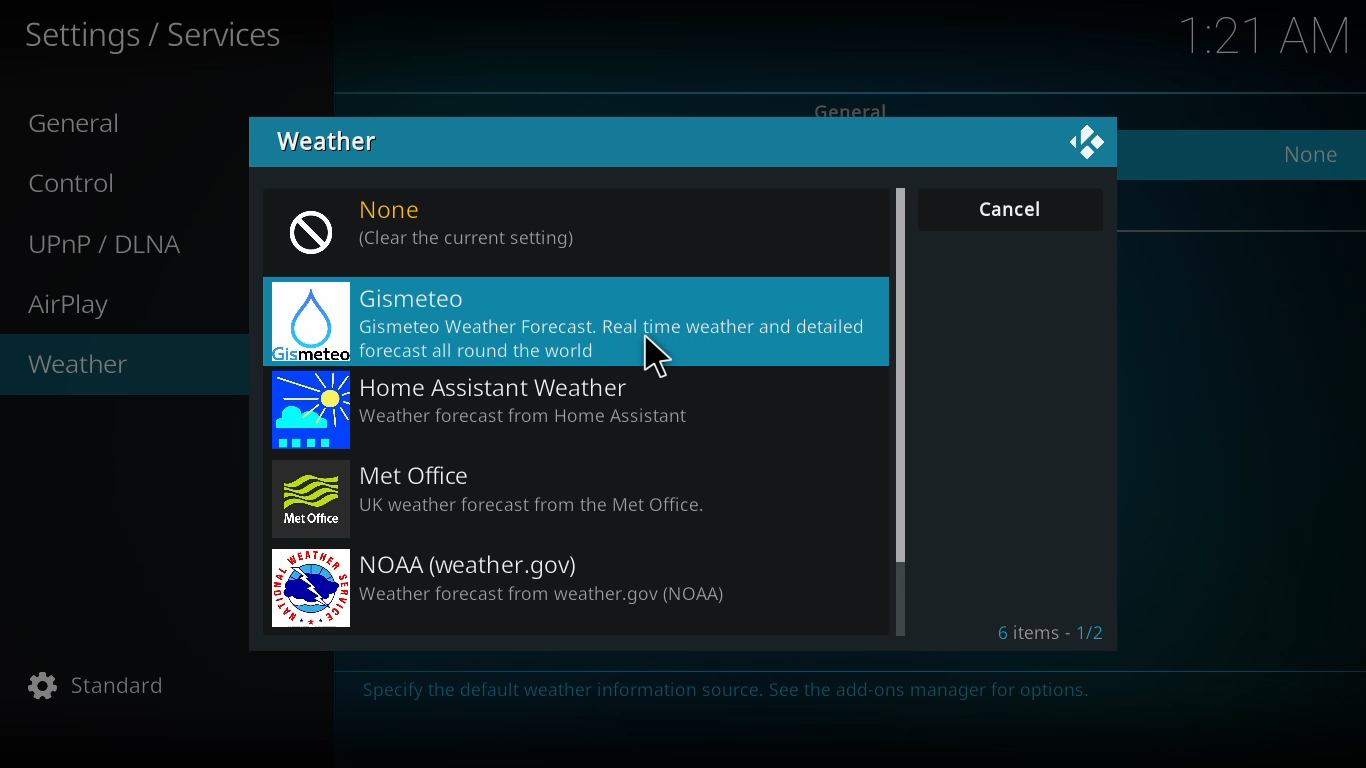 The height and width of the screenshot is (768, 1366). I want to click on general, so click(855, 111).